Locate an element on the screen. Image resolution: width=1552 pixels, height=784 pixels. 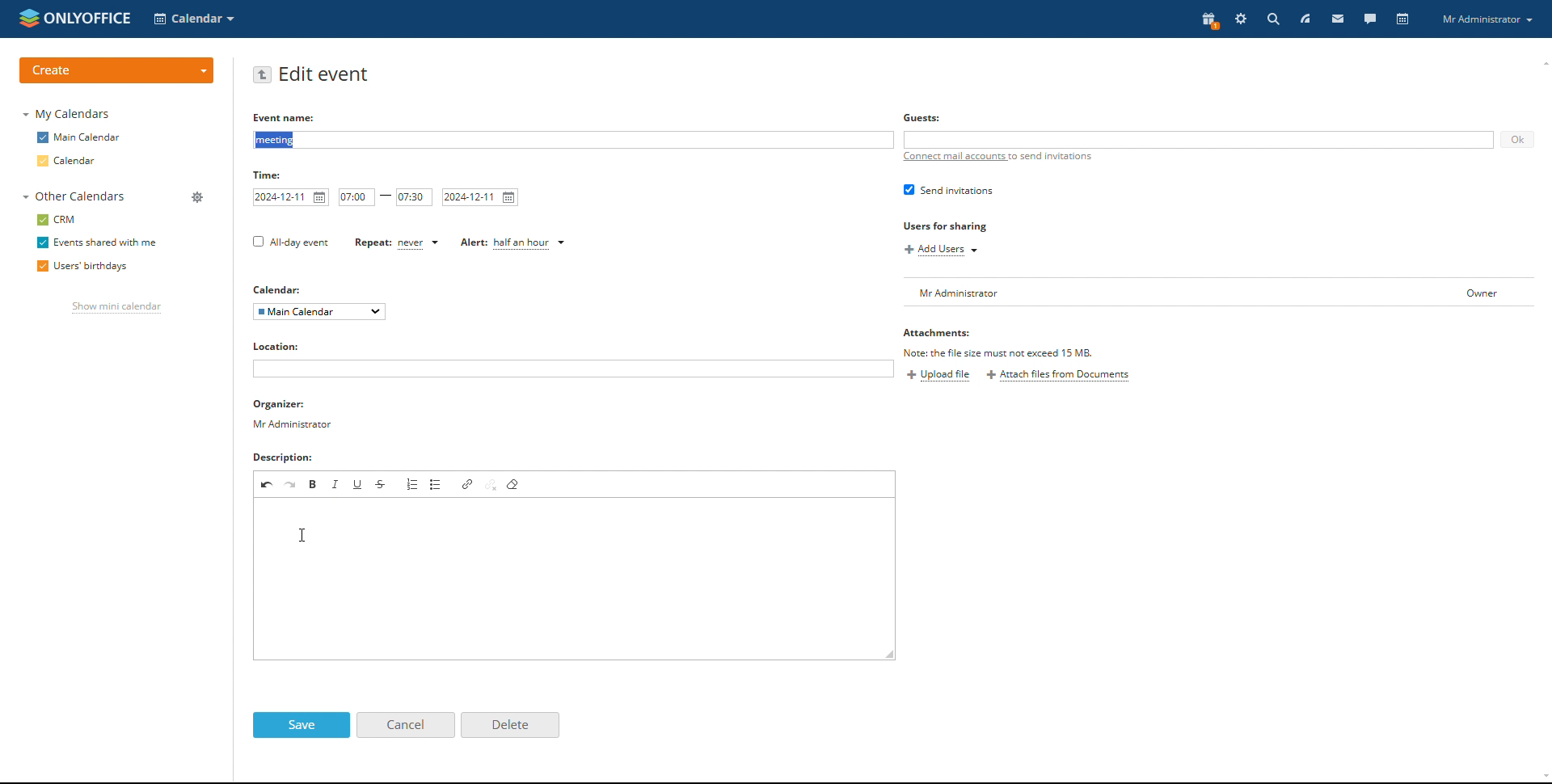
connect mail accounts is located at coordinates (953, 157).